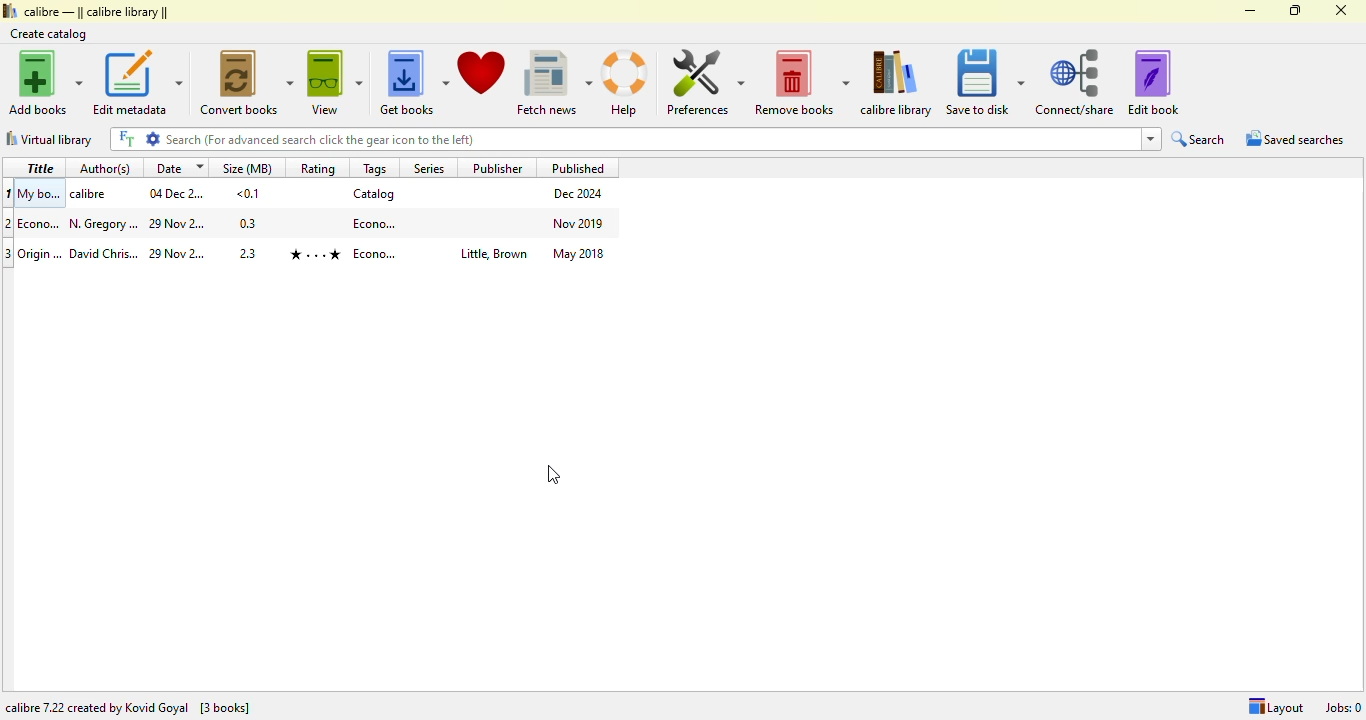 The image size is (1366, 720). What do you see at coordinates (9, 11) in the screenshot?
I see `logo` at bounding box center [9, 11].